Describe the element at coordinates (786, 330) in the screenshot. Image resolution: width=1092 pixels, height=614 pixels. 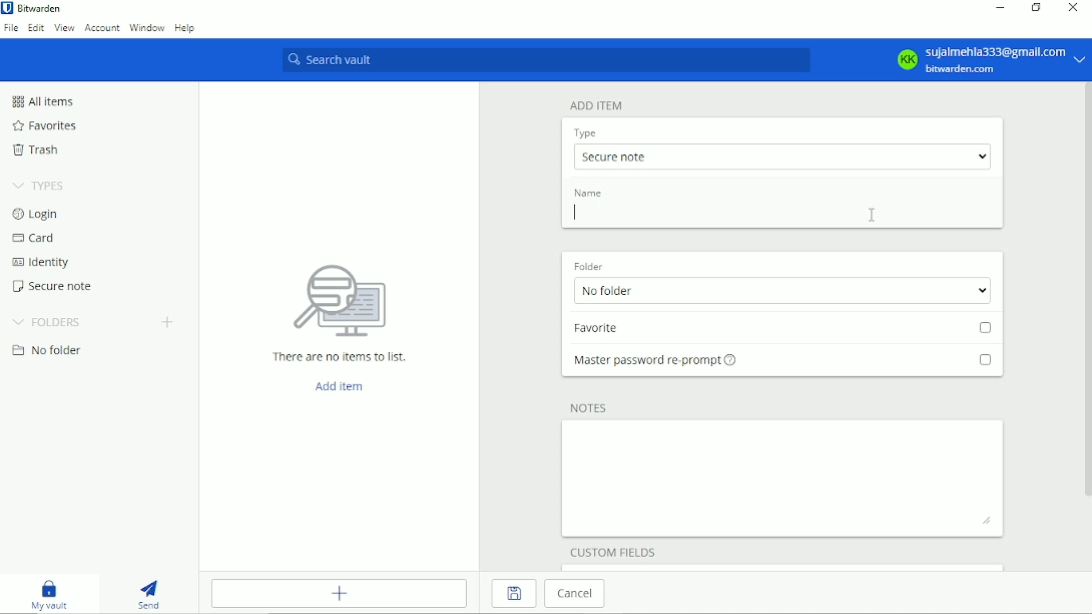
I see `Favorite` at that location.